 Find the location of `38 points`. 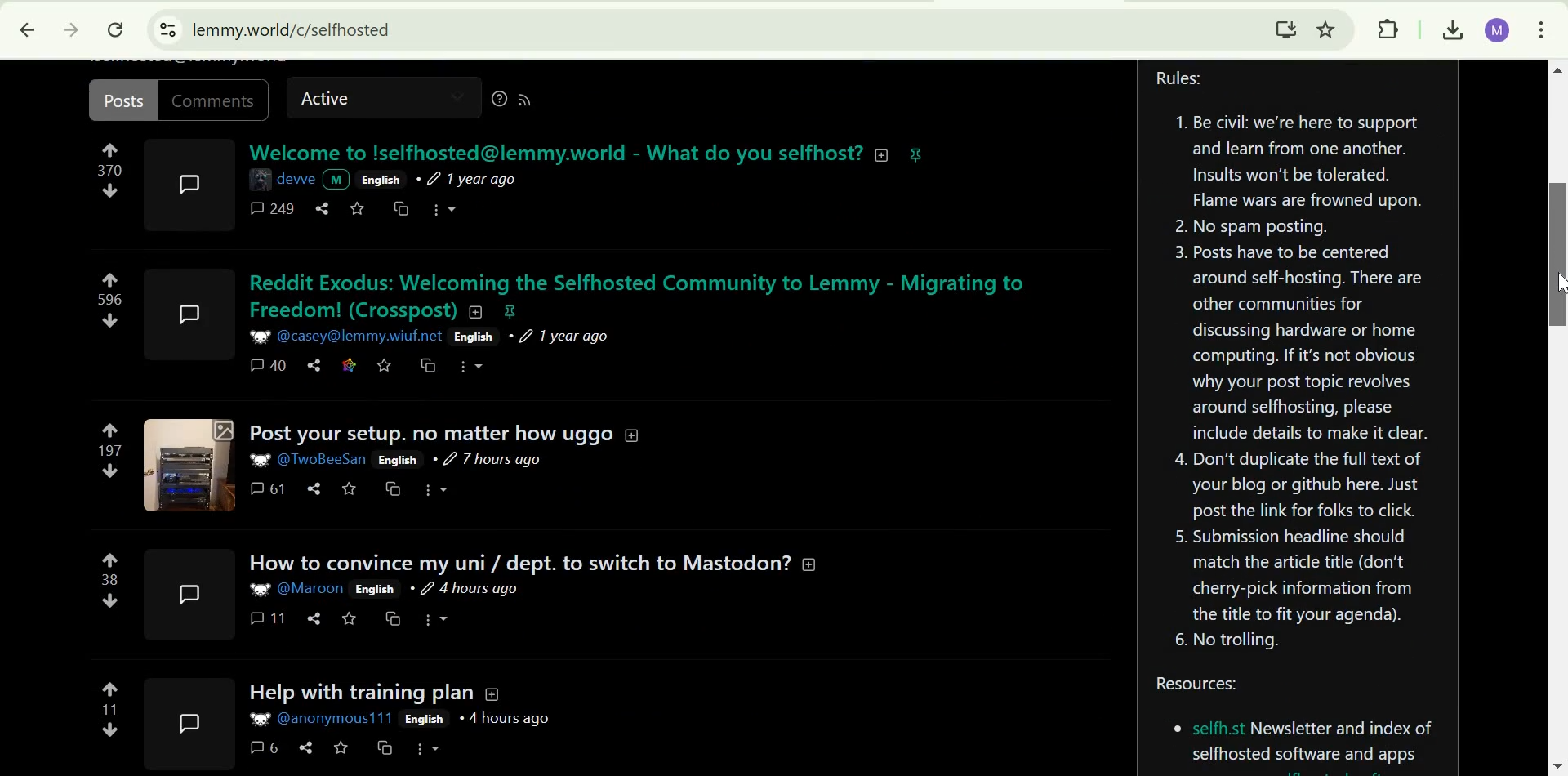

38 points is located at coordinates (111, 579).